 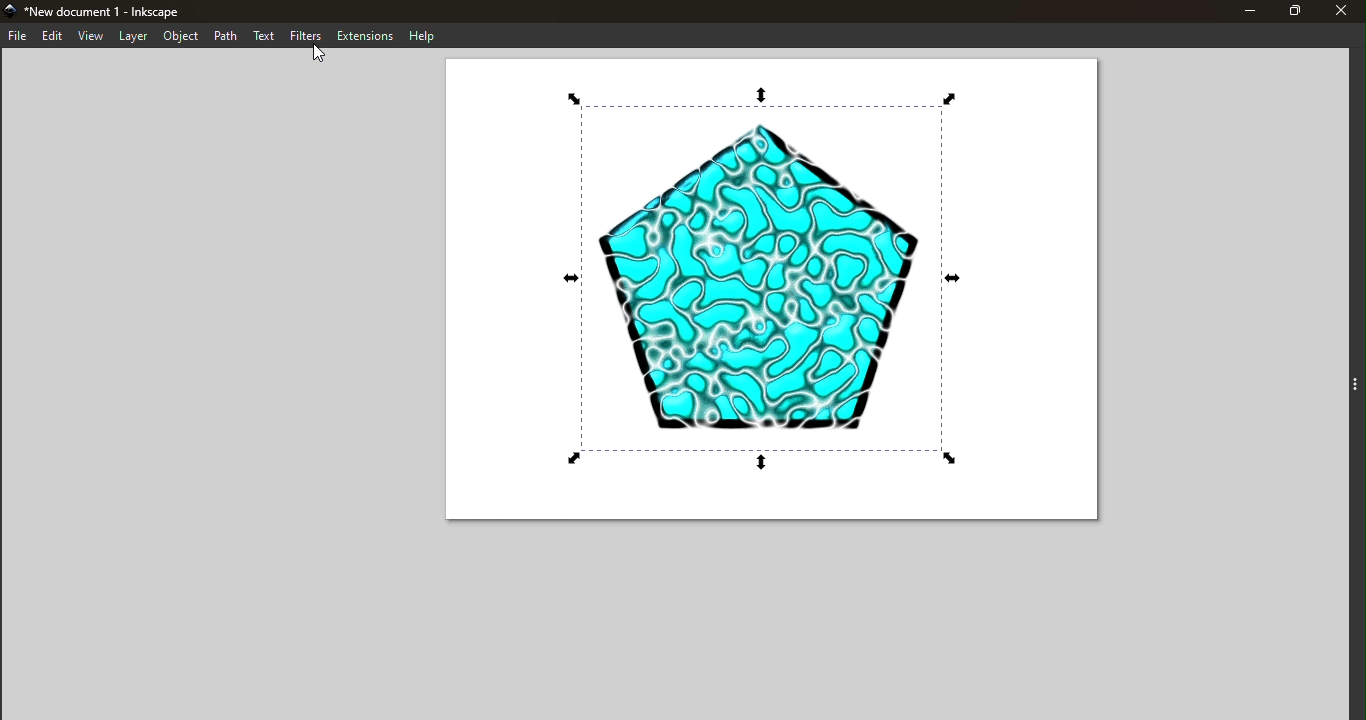 What do you see at coordinates (421, 34) in the screenshot?
I see `Help` at bounding box center [421, 34].